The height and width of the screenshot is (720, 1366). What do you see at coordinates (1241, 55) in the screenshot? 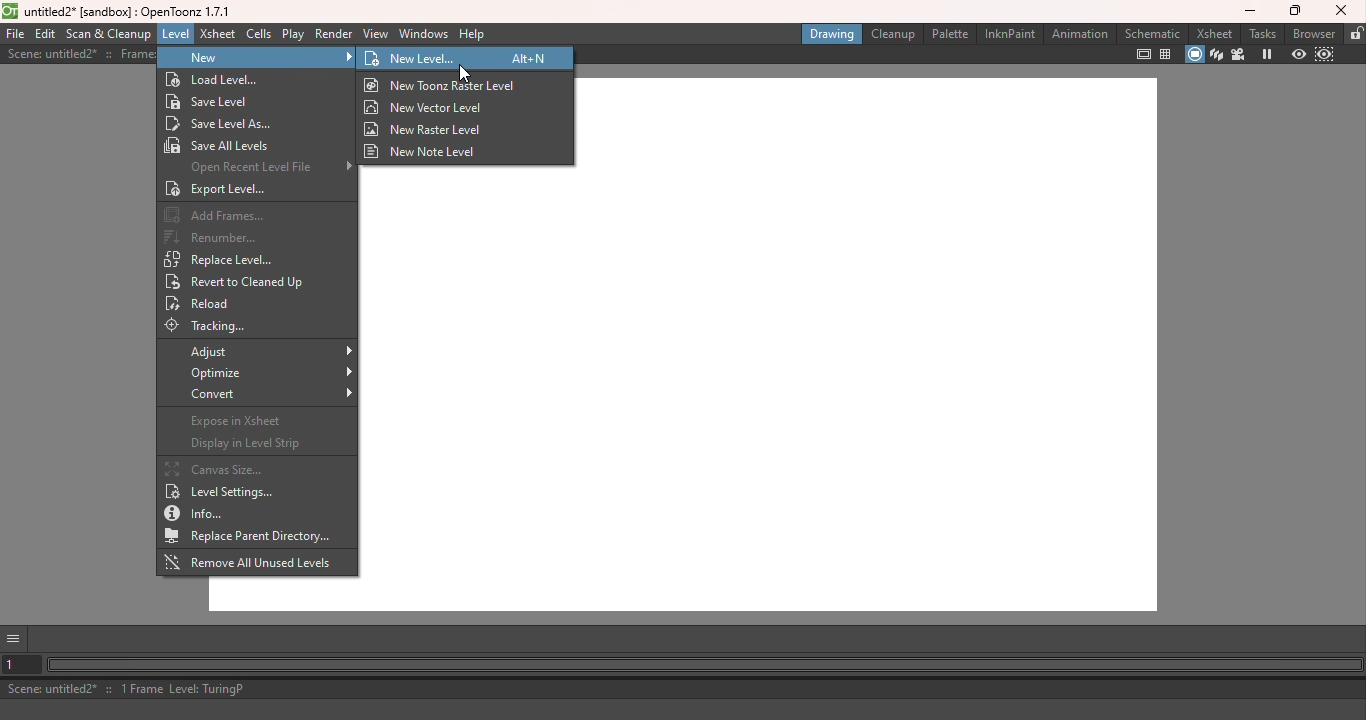
I see `Camera view` at bounding box center [1241, 55].